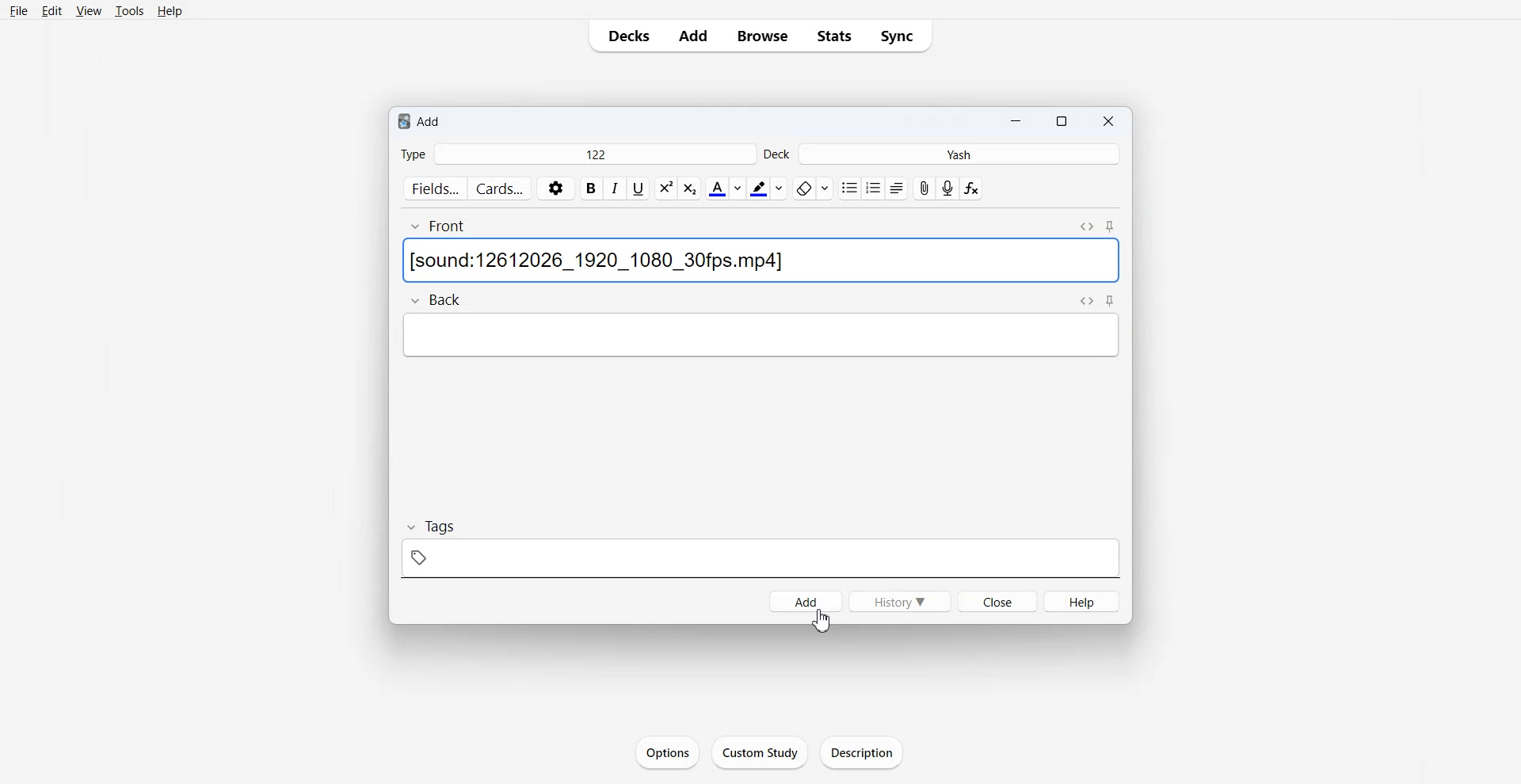  Describe the element at coordinates (1083, 601) in the screenshot. I see `Help` at that location.